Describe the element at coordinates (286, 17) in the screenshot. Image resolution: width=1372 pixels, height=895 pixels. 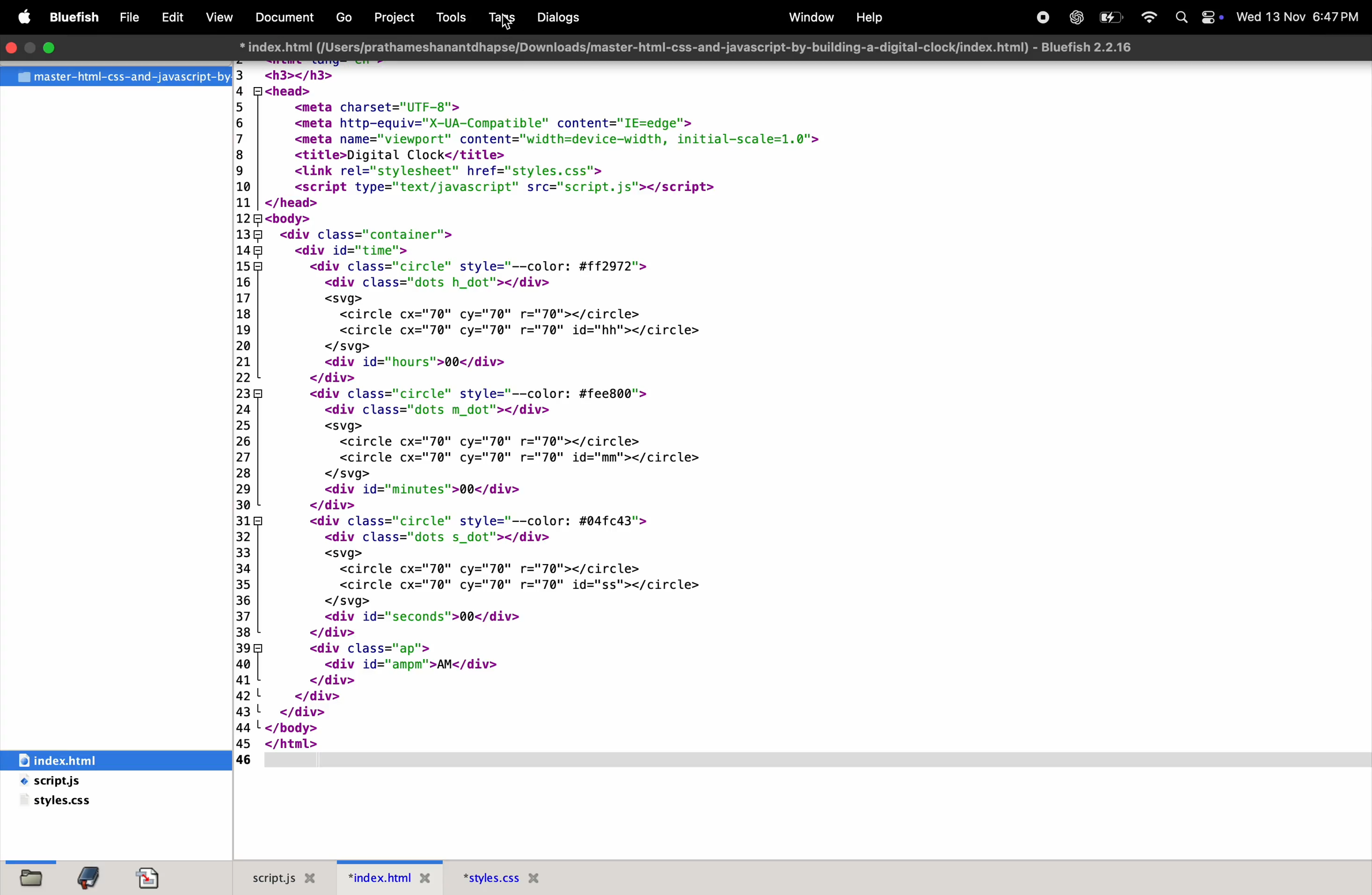
I see `Document` at that location.